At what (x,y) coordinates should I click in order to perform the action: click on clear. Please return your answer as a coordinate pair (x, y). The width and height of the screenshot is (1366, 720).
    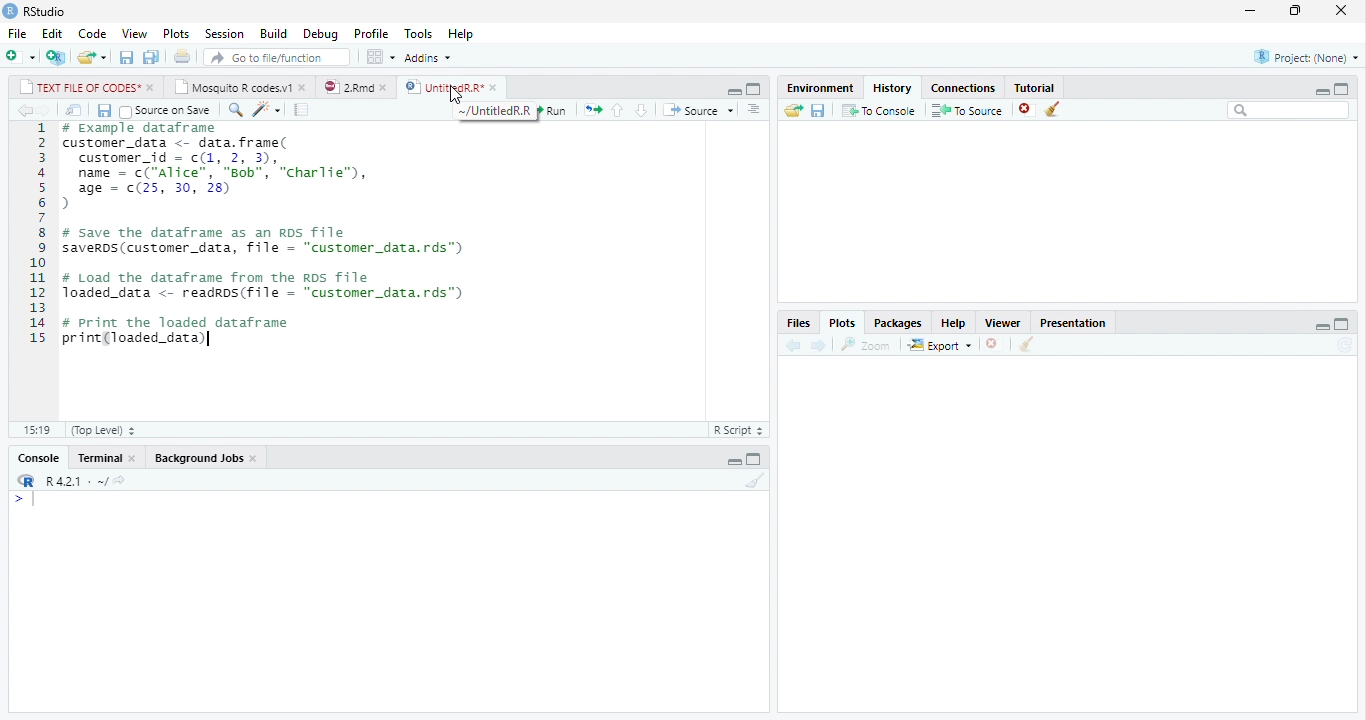
    Looking at the image, I should click on (756, 480).